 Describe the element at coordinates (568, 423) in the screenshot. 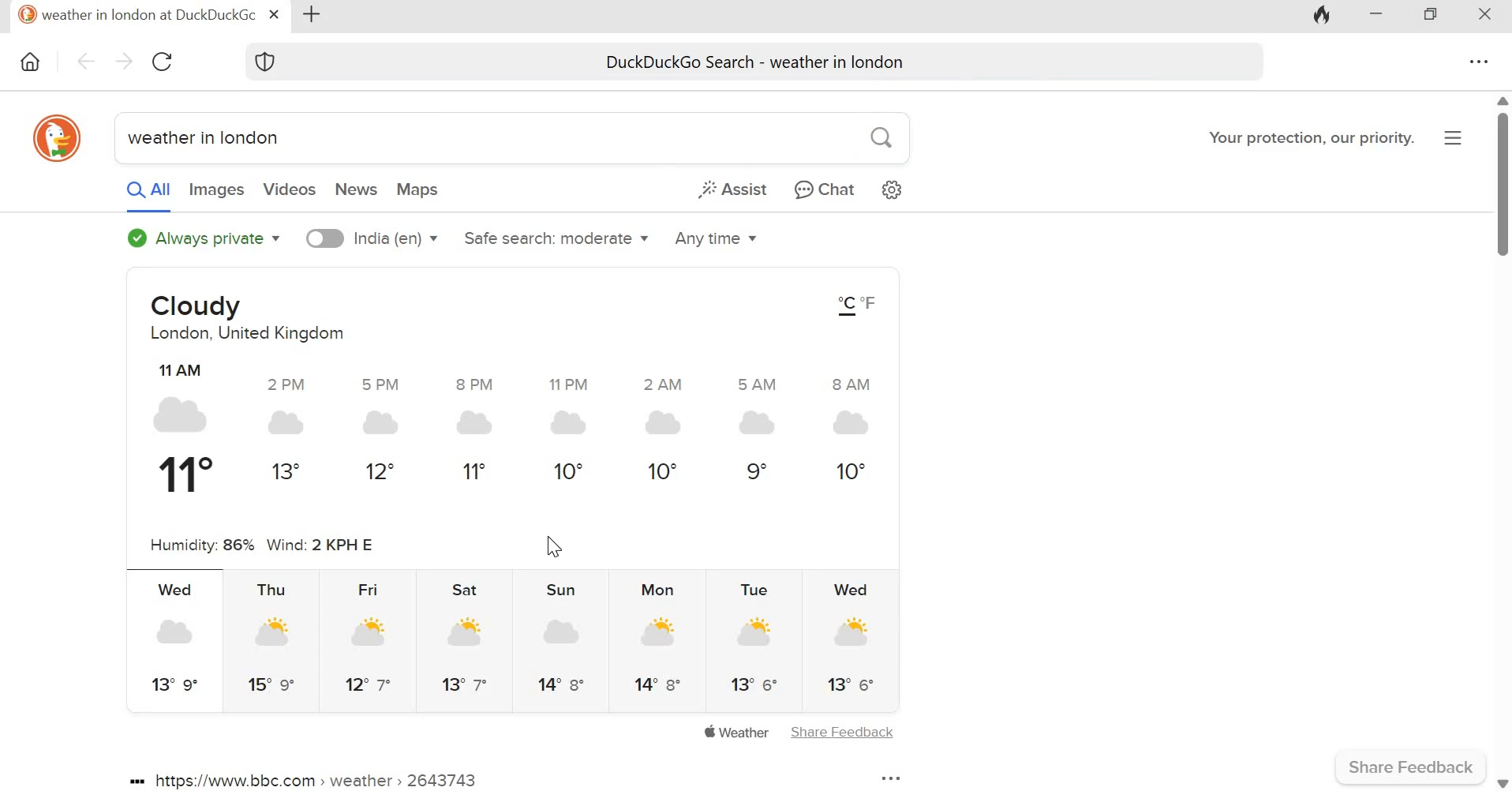

I see `Indicates cloudy` at that location.